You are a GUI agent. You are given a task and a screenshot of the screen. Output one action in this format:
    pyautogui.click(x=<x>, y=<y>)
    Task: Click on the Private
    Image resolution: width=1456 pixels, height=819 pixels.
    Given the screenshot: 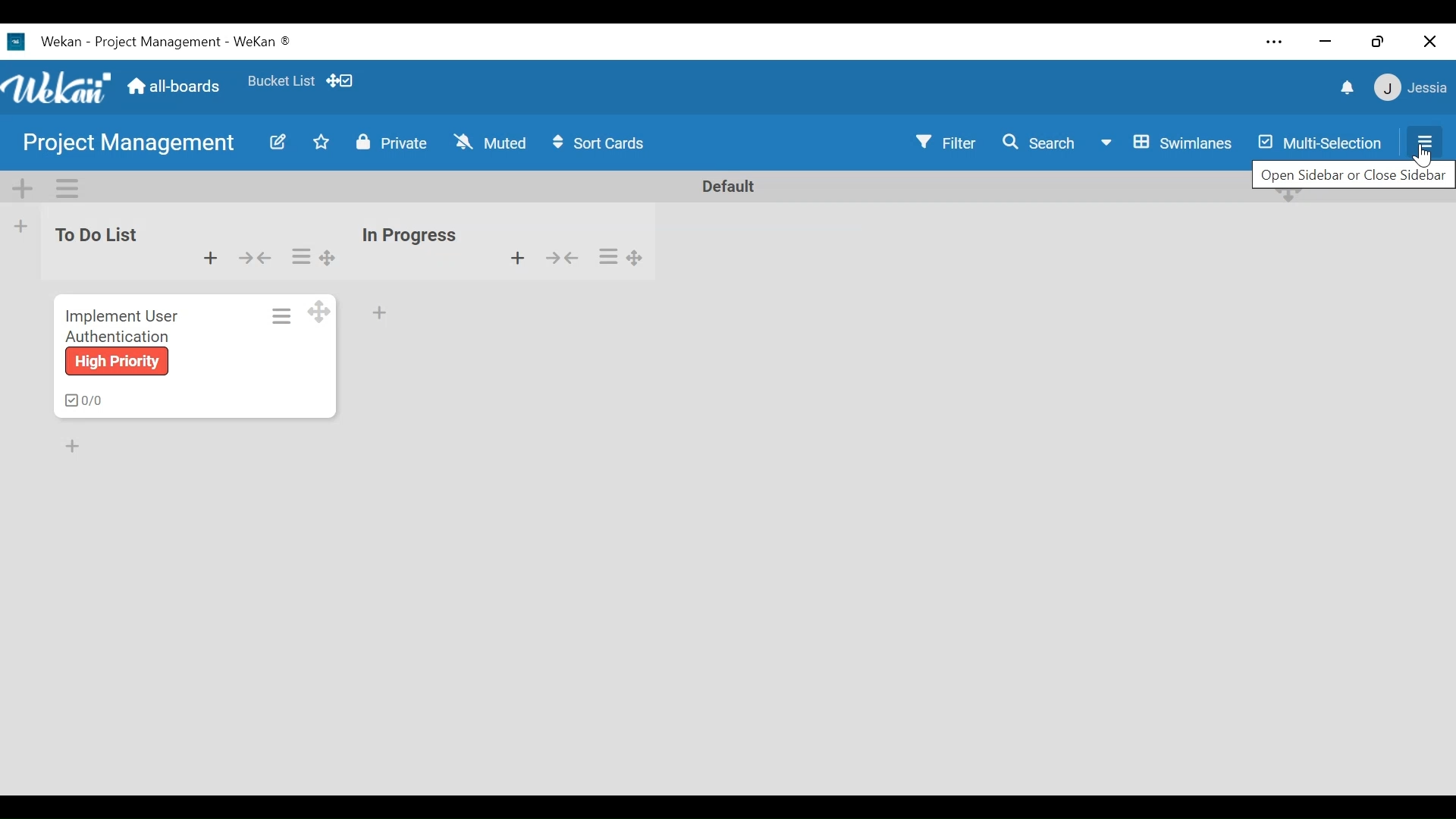 What is the action you would take?
    pyautogui.click(x=390, y=141)
    